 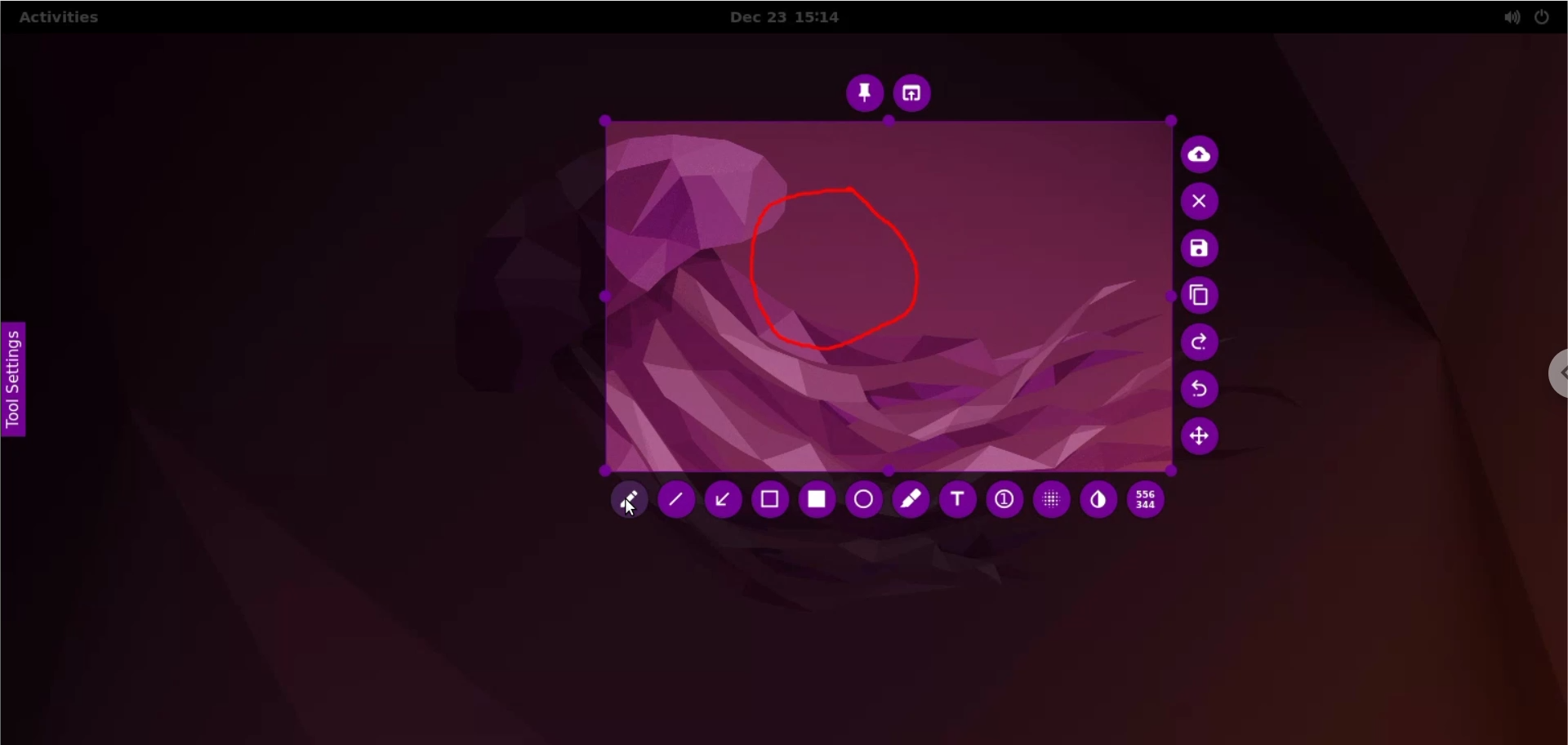 What do you see at coordinates (911, 500) in the screenshot?
I see `marker tool` at bounding box center [911, 500].